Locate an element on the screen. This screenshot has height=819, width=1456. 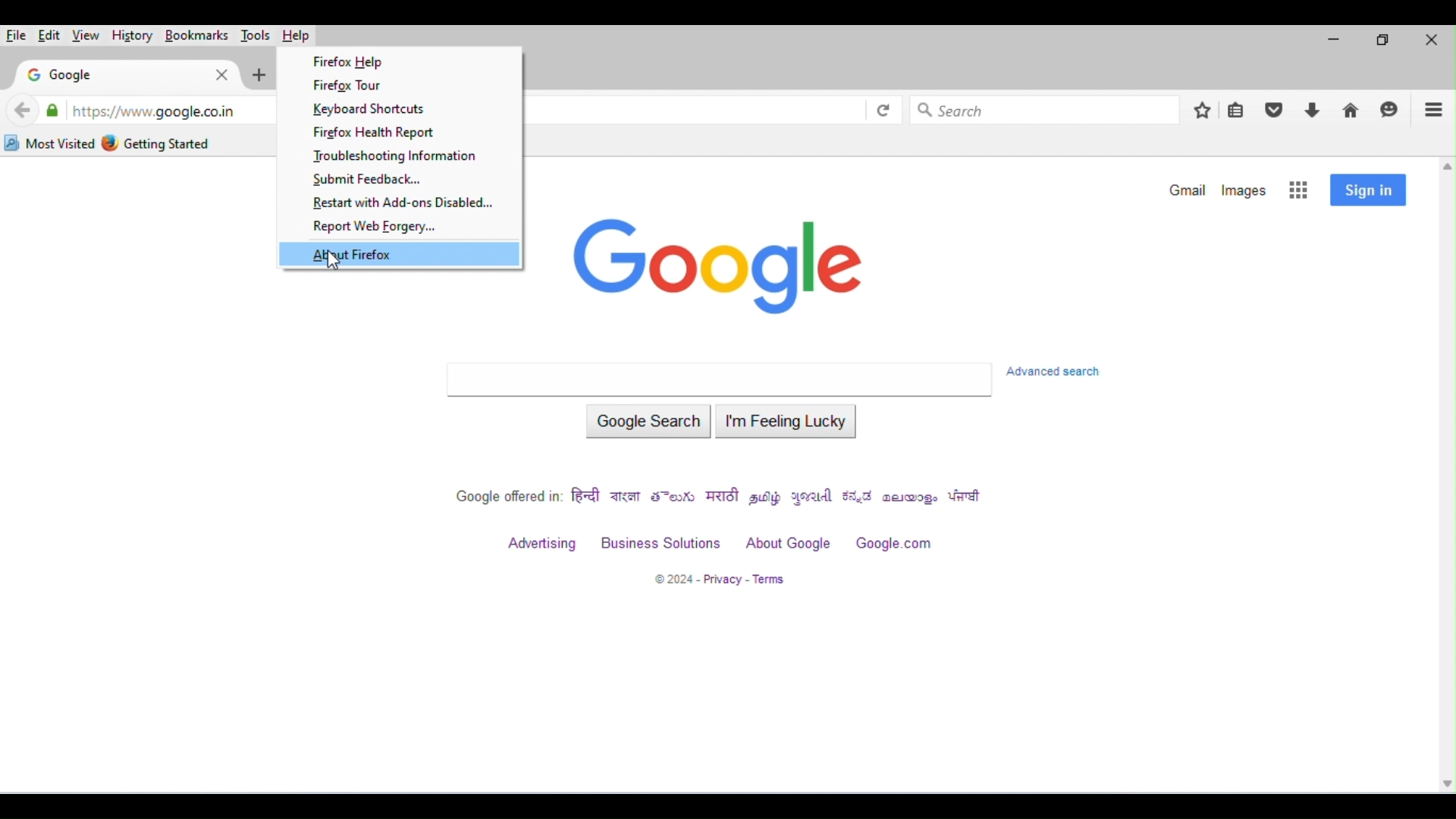
marathi is located at coordinates (724, 497).